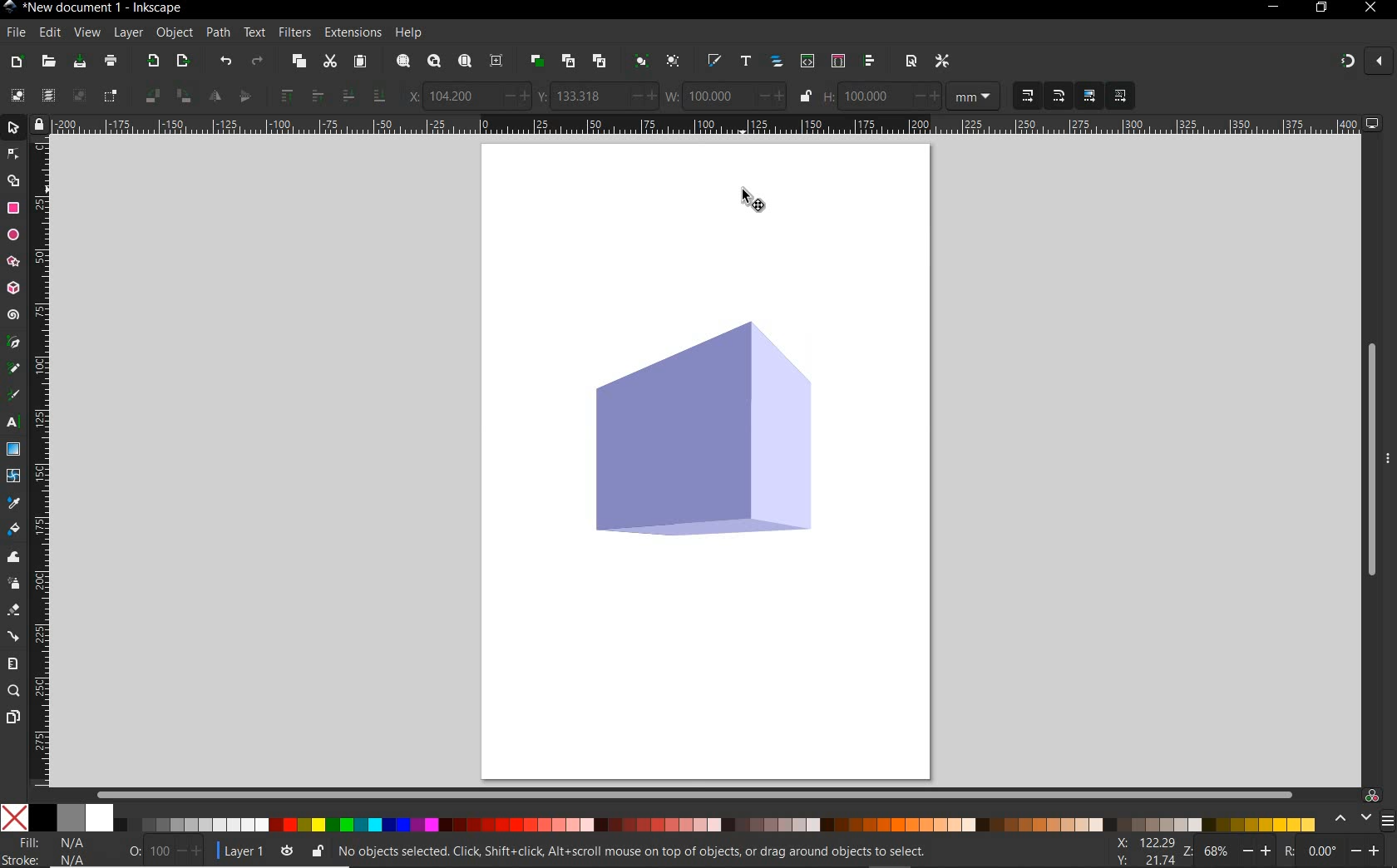  I want to click on move gradients, so click(1090, 96).